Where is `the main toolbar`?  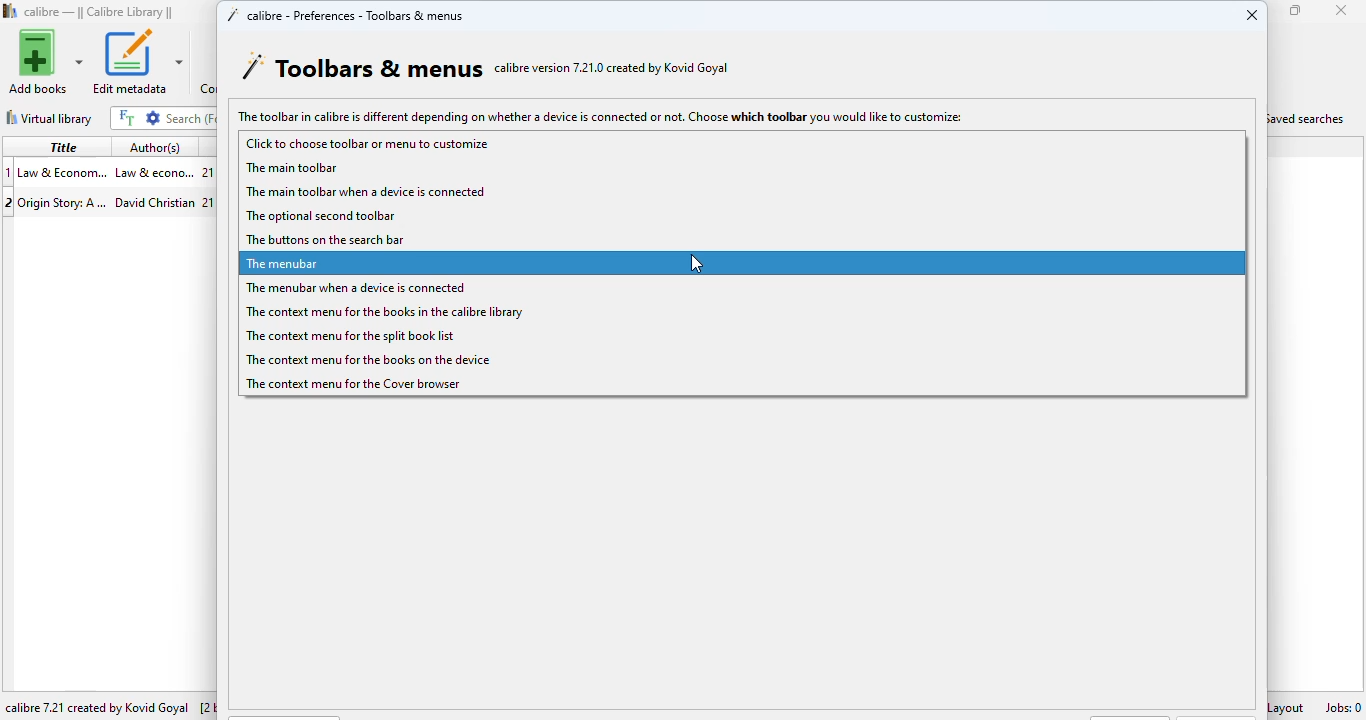 the main toolbar is located at coordinates (294, 168).